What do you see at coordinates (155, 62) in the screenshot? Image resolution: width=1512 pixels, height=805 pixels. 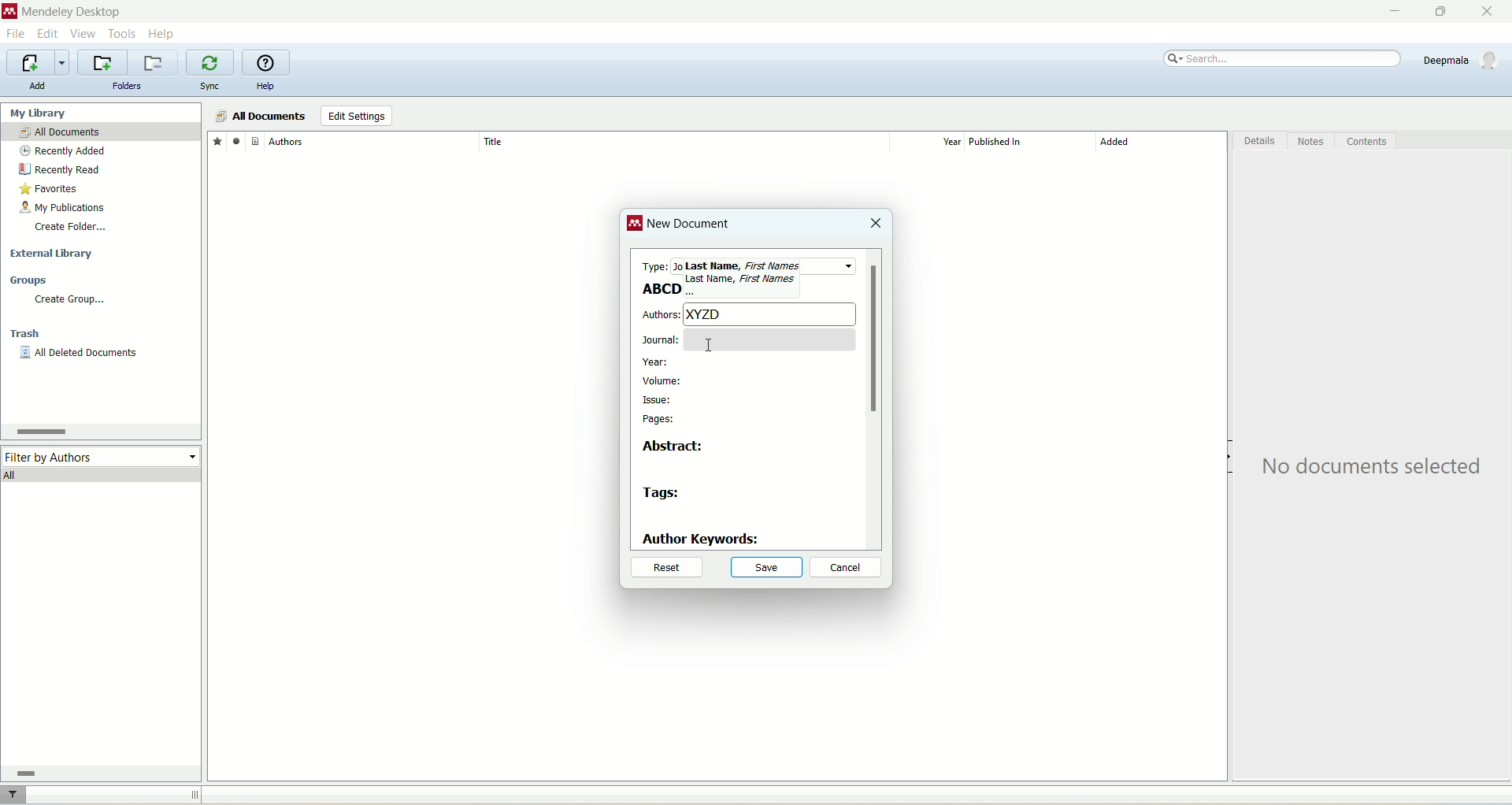 I see `remove current folder` at bounding box center [155, 62].